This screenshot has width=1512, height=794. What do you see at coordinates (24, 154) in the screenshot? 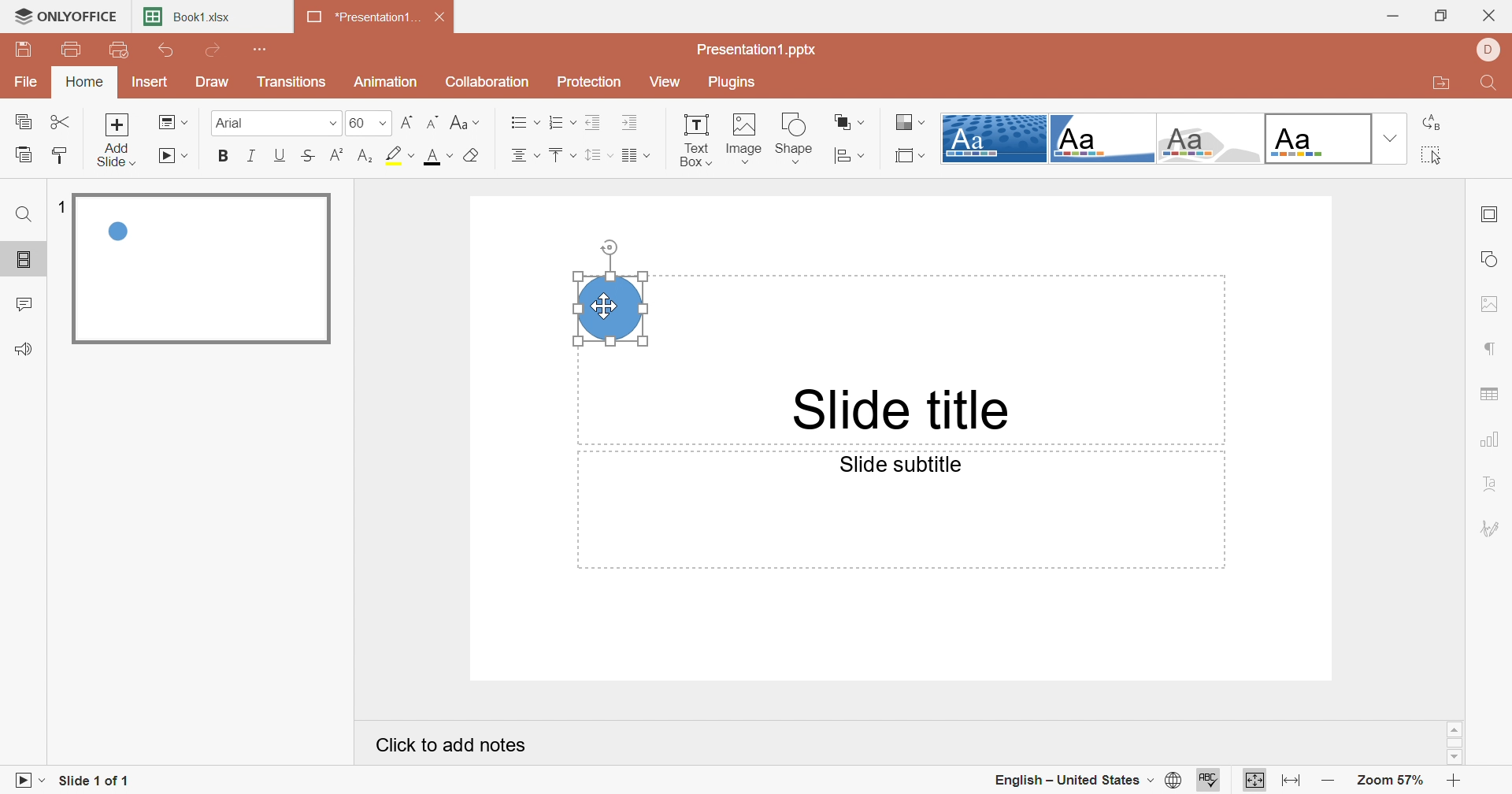
I see `Paste` at bounding box center [24, 154].